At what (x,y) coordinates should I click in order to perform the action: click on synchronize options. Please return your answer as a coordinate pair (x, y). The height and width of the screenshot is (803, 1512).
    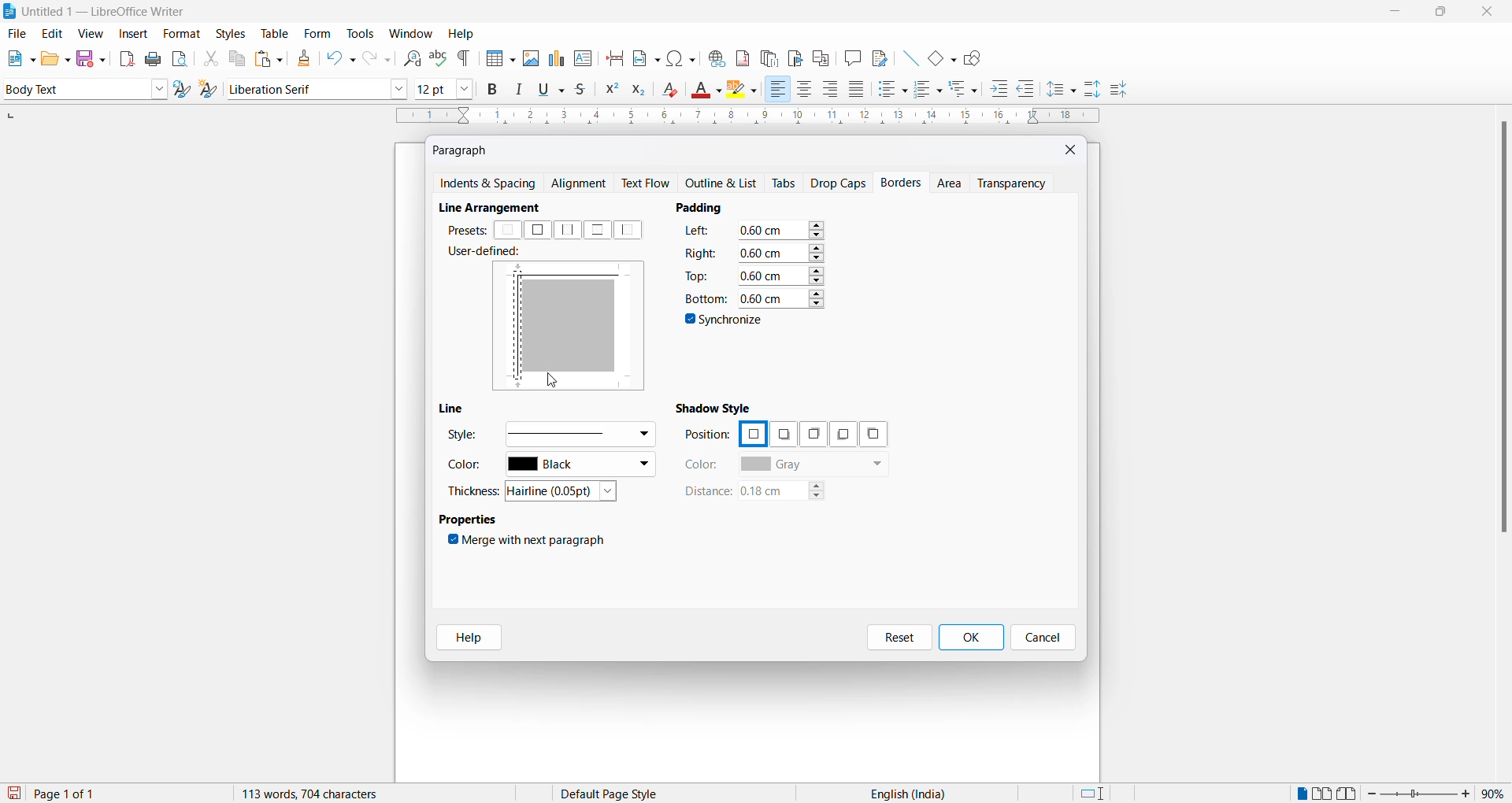
    Looking at the image, I should click on (726, 322).